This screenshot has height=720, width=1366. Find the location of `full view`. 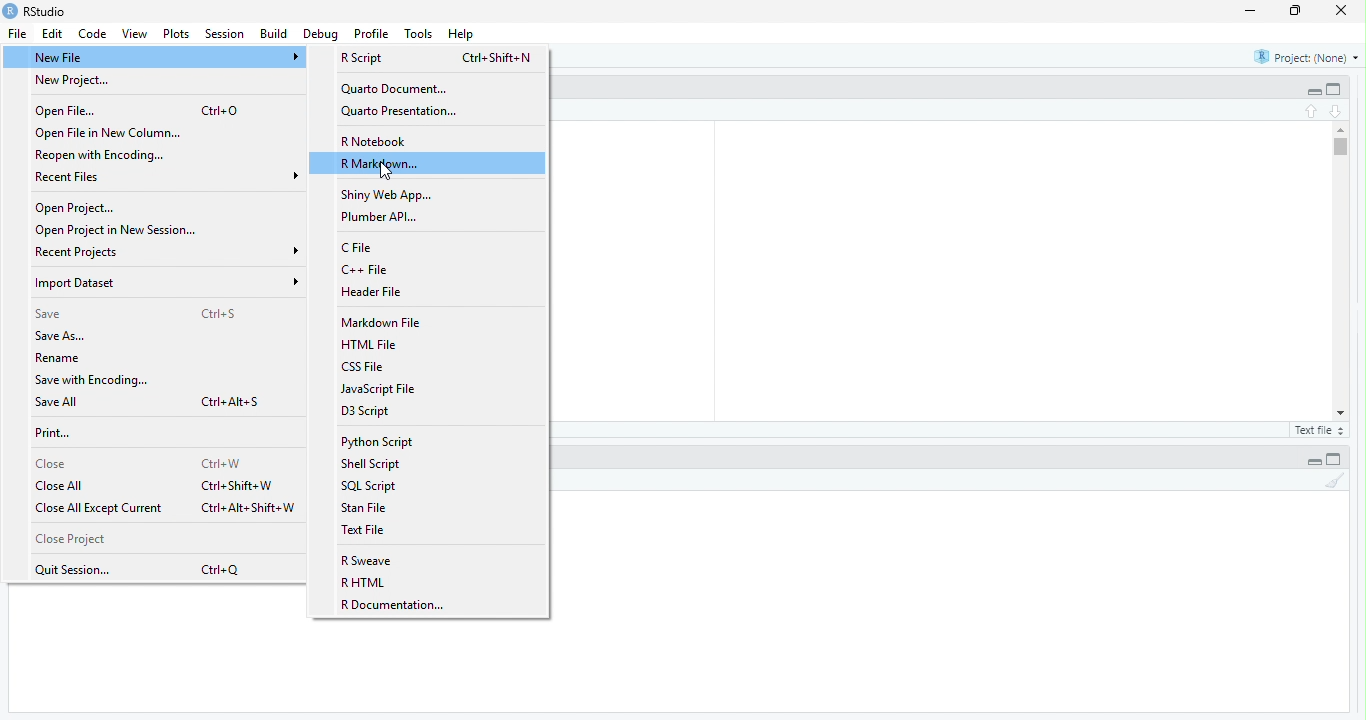

full view is located at coordinates (1334, 89).